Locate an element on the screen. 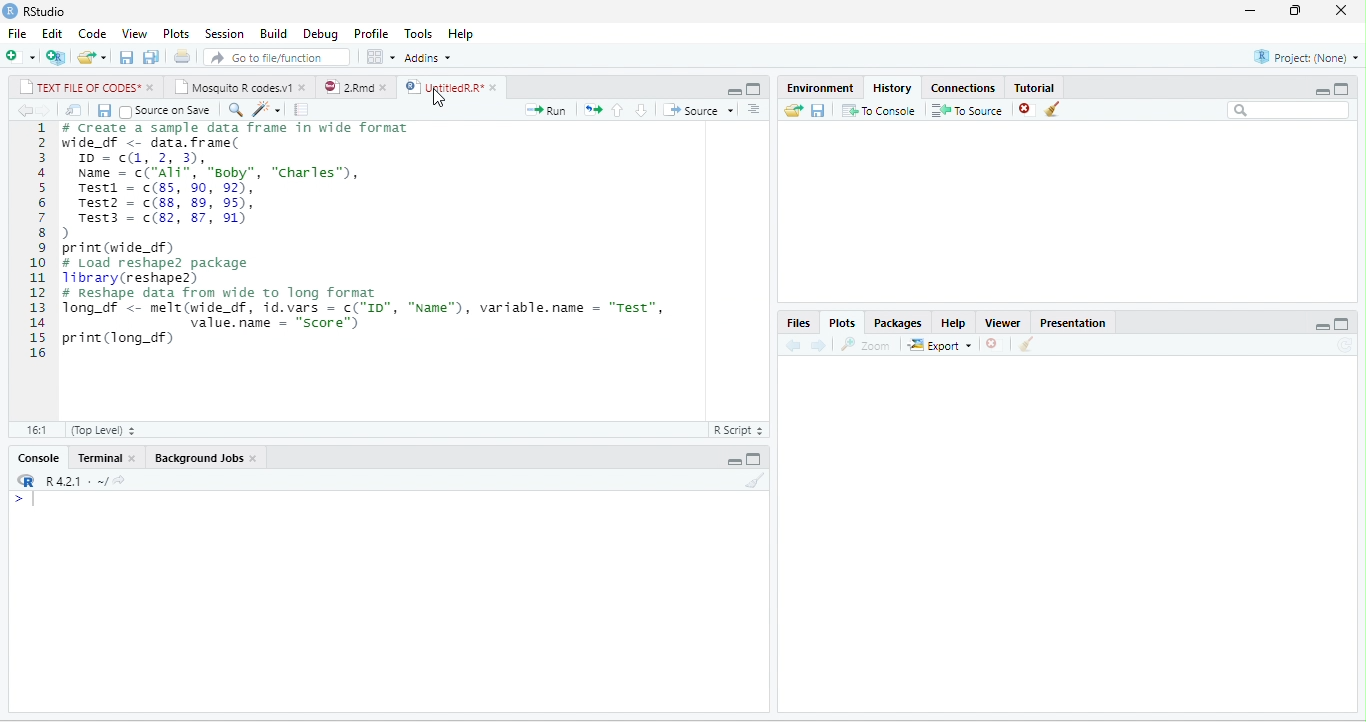  Tutorial is located at coordinates (1034, 87).